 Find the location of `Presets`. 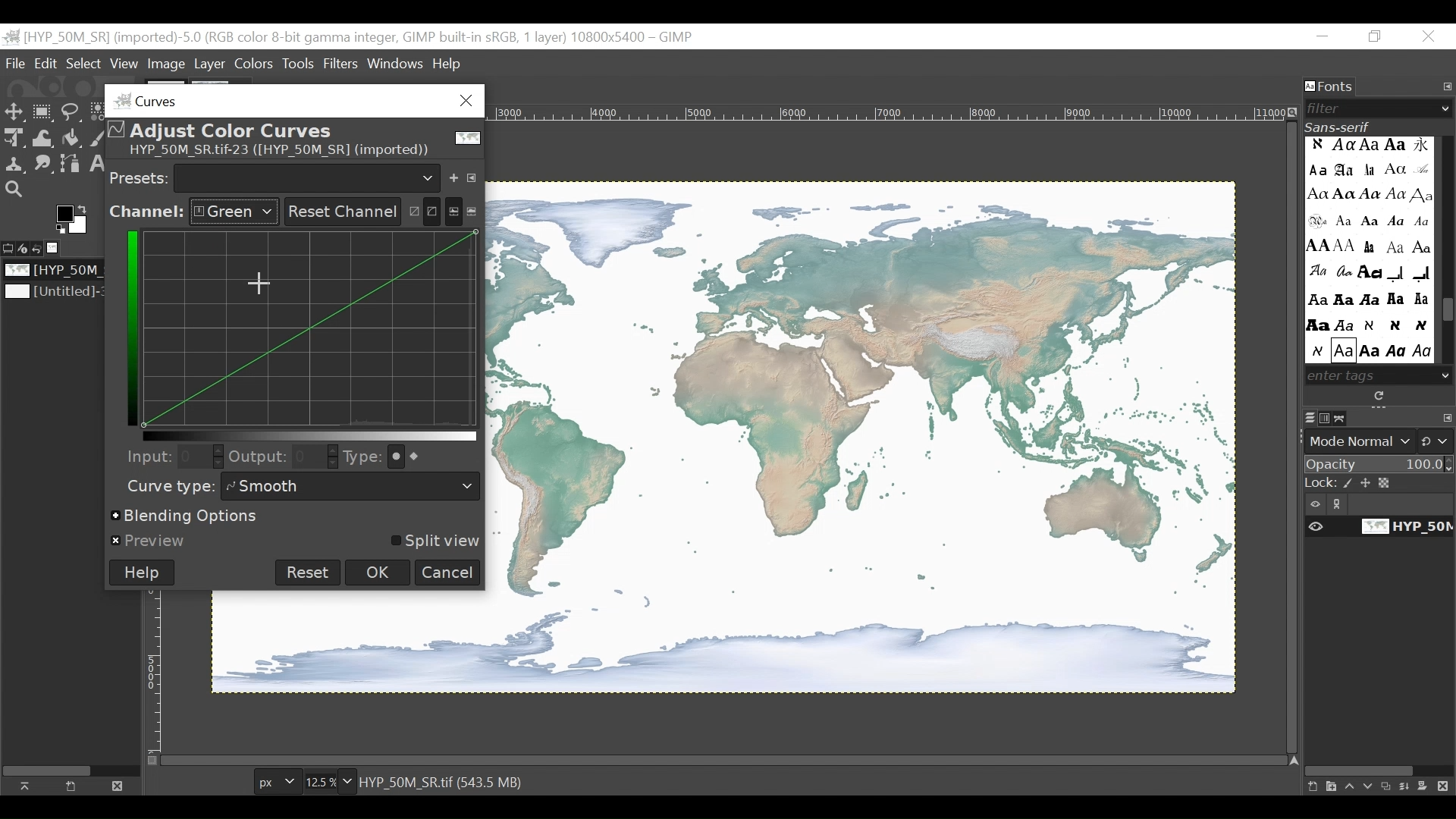

Presets is located at coordinates (140, 177).